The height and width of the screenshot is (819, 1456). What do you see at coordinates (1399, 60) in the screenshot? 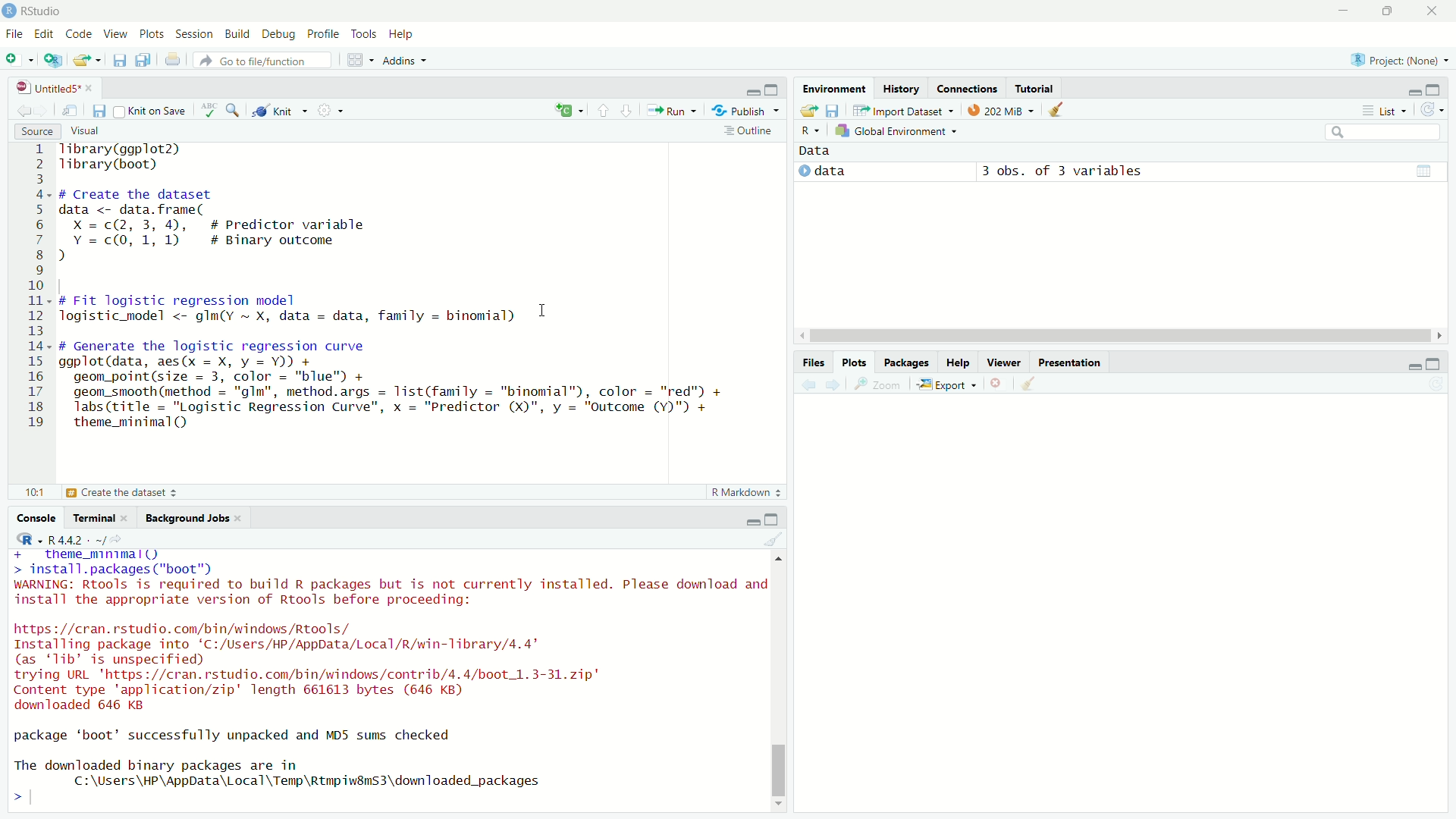
I see `Project: (None)` at bounding box center [1399, 60].